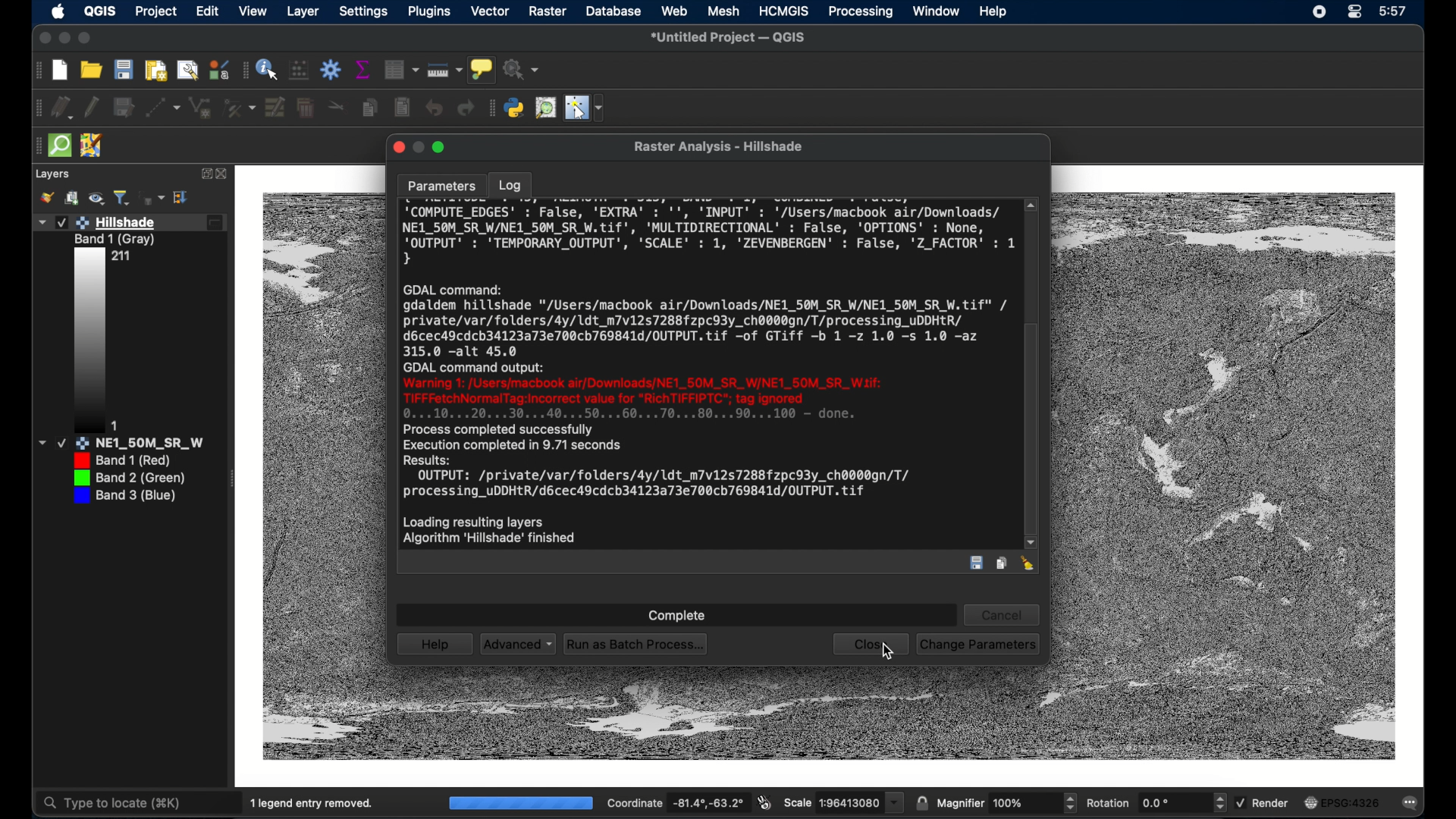 This screenshot has width=1456, height=819. What do you see at coordinates (1033, 203) in the screenshot?
I see `scroll up arrow` at bounding box center [1033, 203].